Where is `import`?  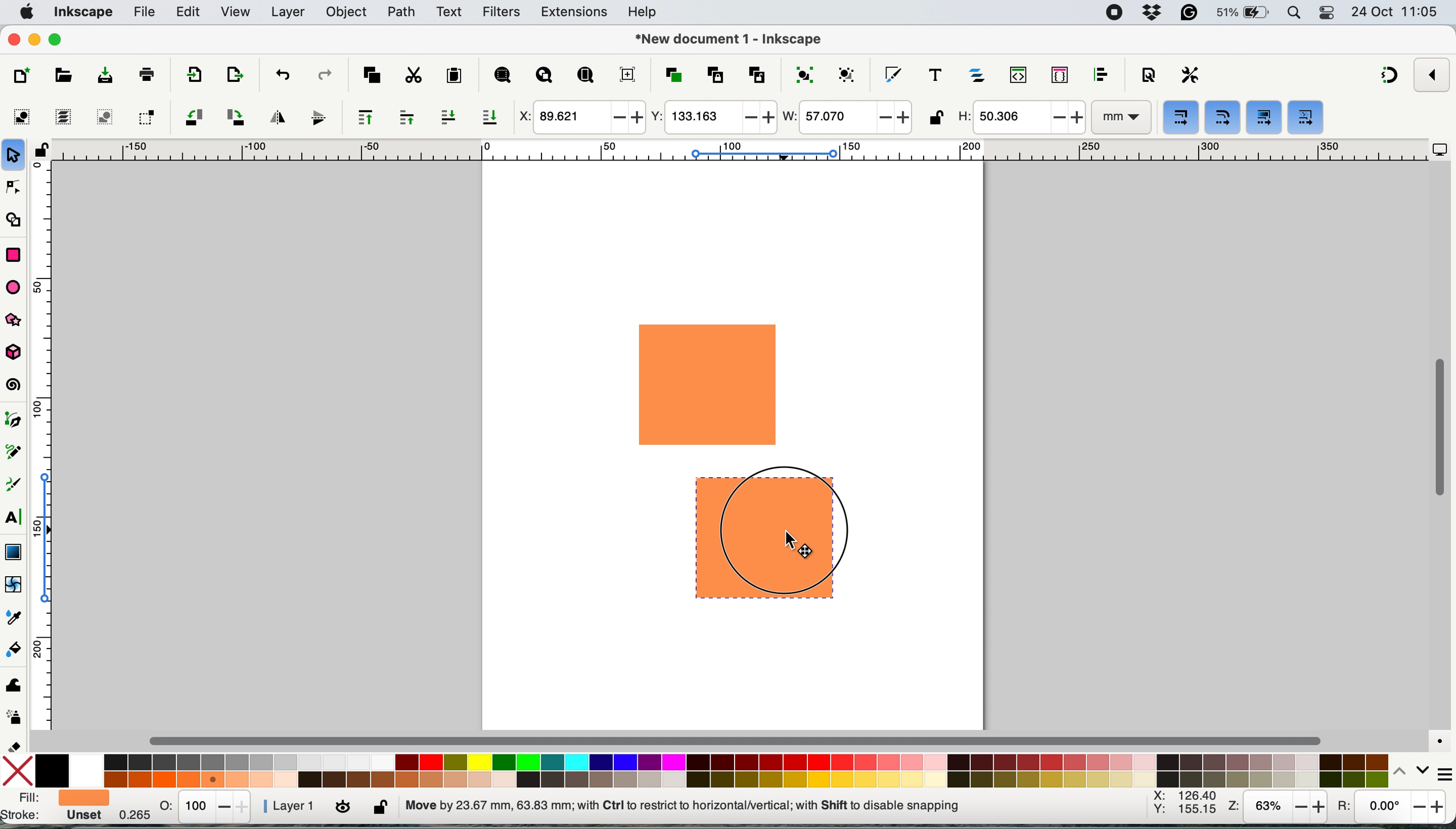 import is located at coordinates (191, 76).